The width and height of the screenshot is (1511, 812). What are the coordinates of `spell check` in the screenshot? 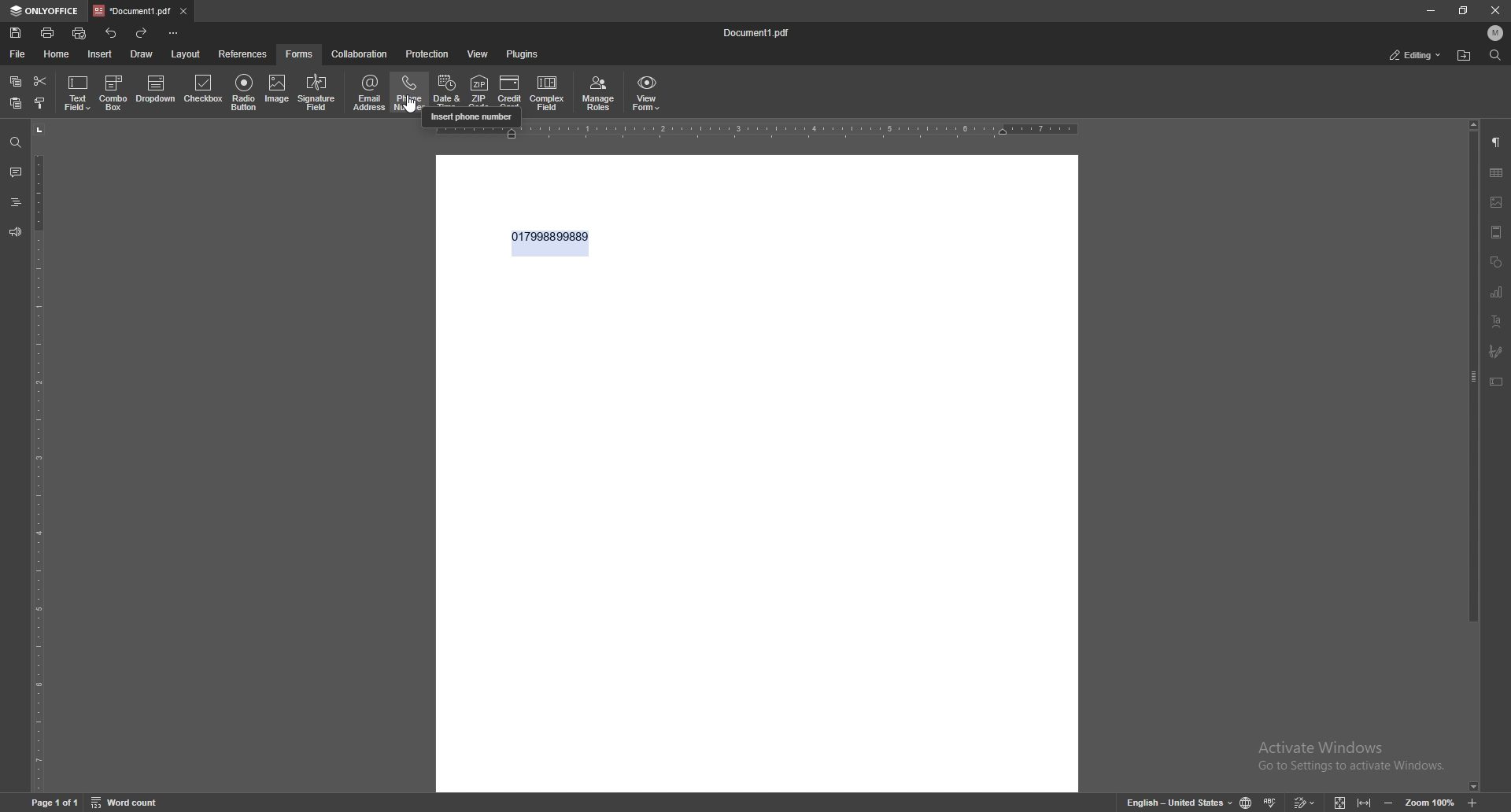 It's located at (1273, 802).